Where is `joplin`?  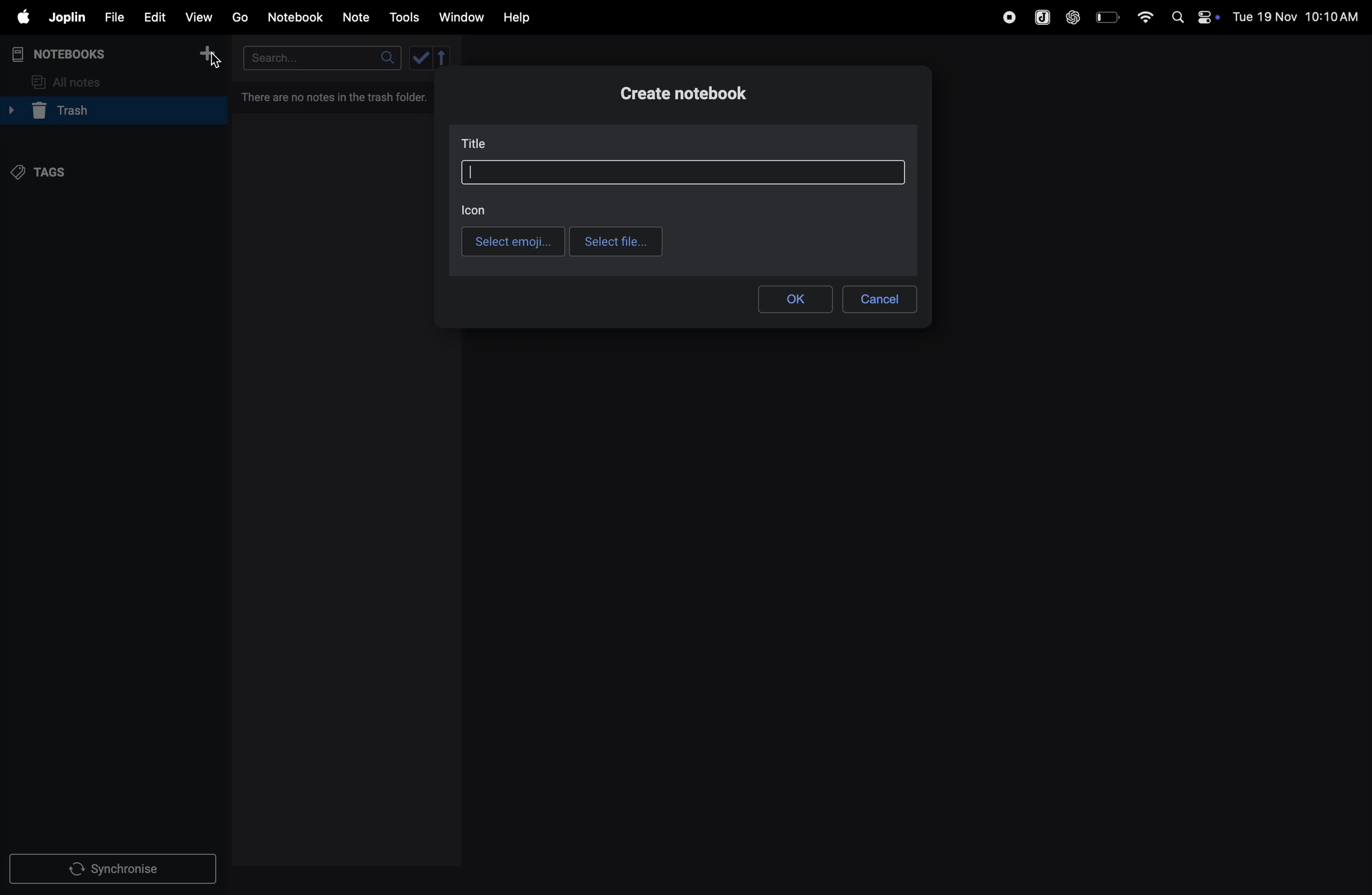 joplin is located at coordinates (68, 18).